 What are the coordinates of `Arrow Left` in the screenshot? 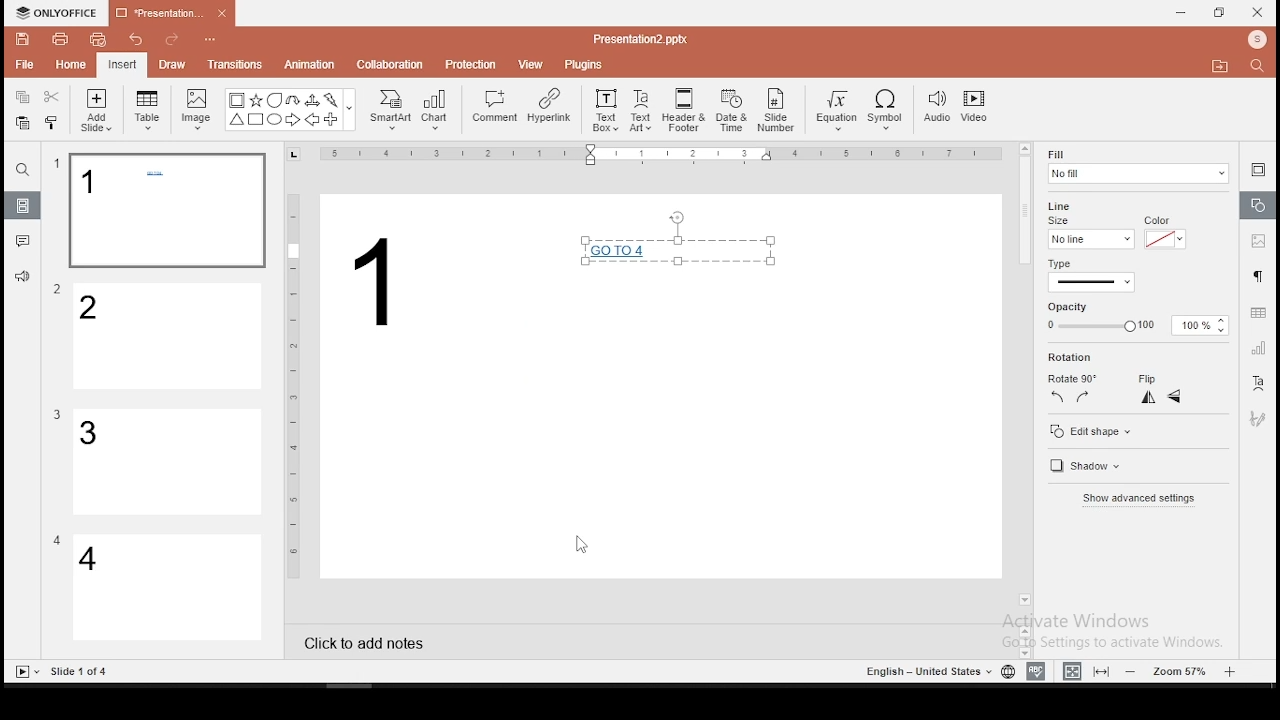 It's located at (312, 120).